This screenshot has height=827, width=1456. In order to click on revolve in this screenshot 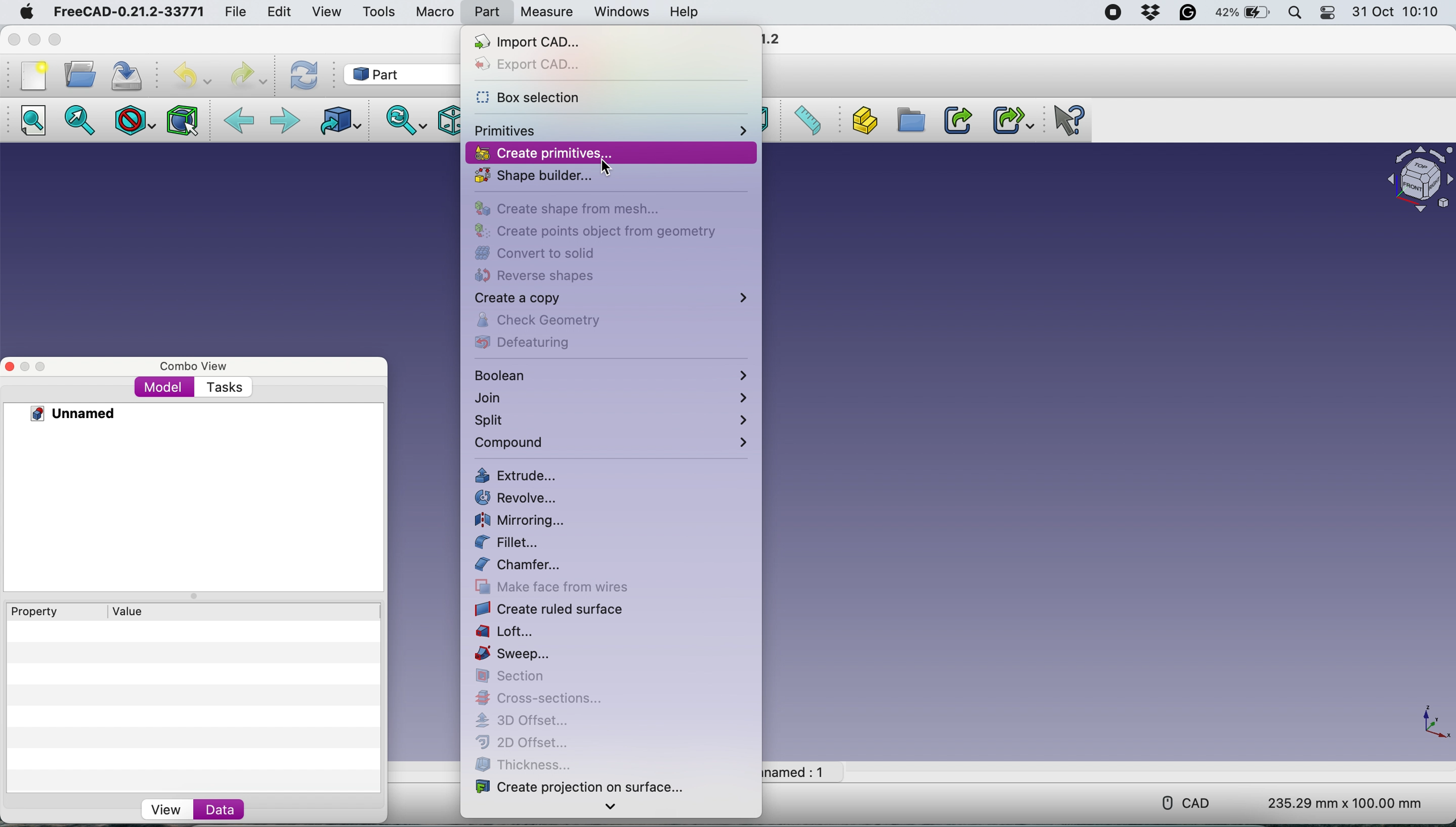, I will do `click(516, 499)`.